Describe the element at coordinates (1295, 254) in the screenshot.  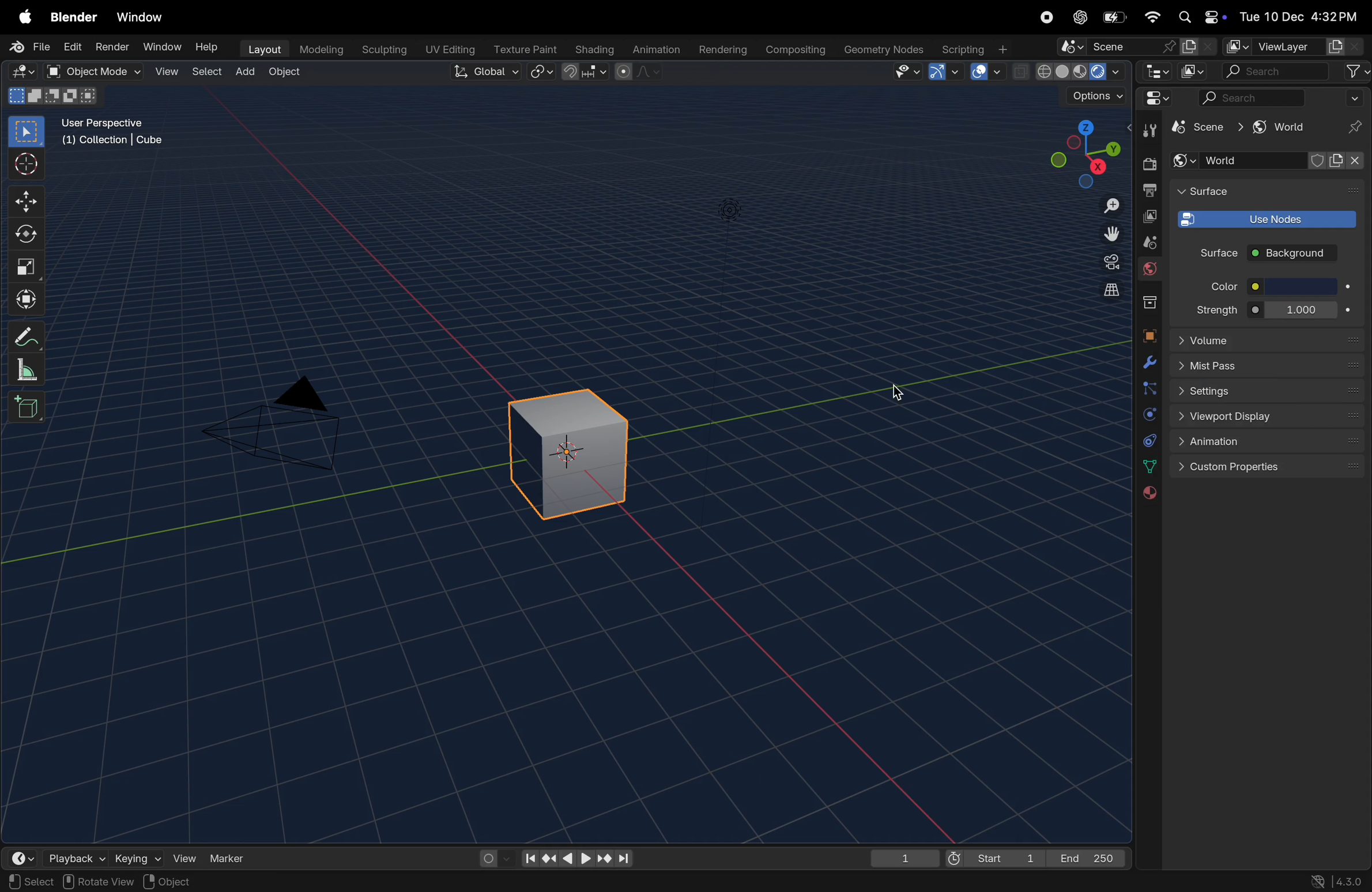
I see `background` at that location.